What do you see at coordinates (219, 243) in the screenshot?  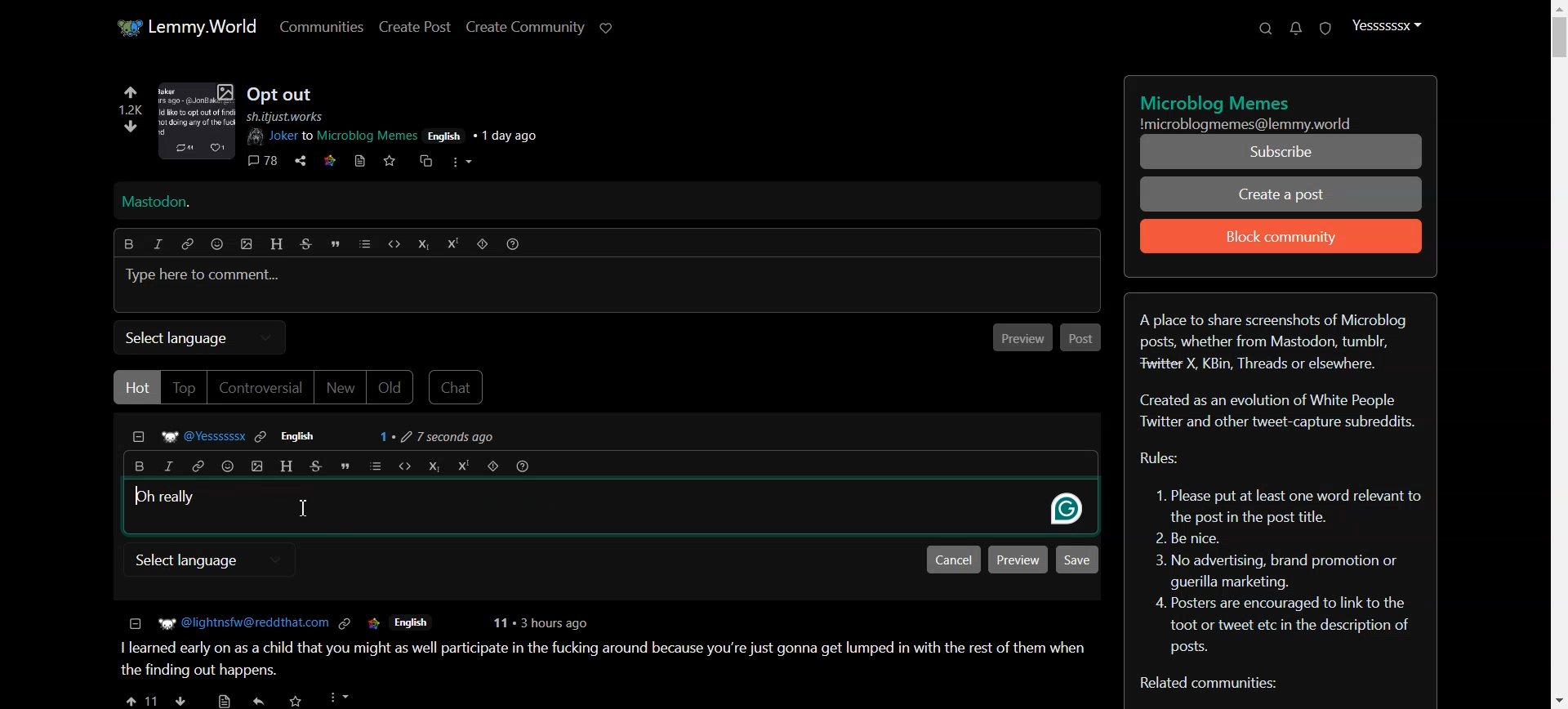 I see `Emoji` at bounding box center [219, 243].